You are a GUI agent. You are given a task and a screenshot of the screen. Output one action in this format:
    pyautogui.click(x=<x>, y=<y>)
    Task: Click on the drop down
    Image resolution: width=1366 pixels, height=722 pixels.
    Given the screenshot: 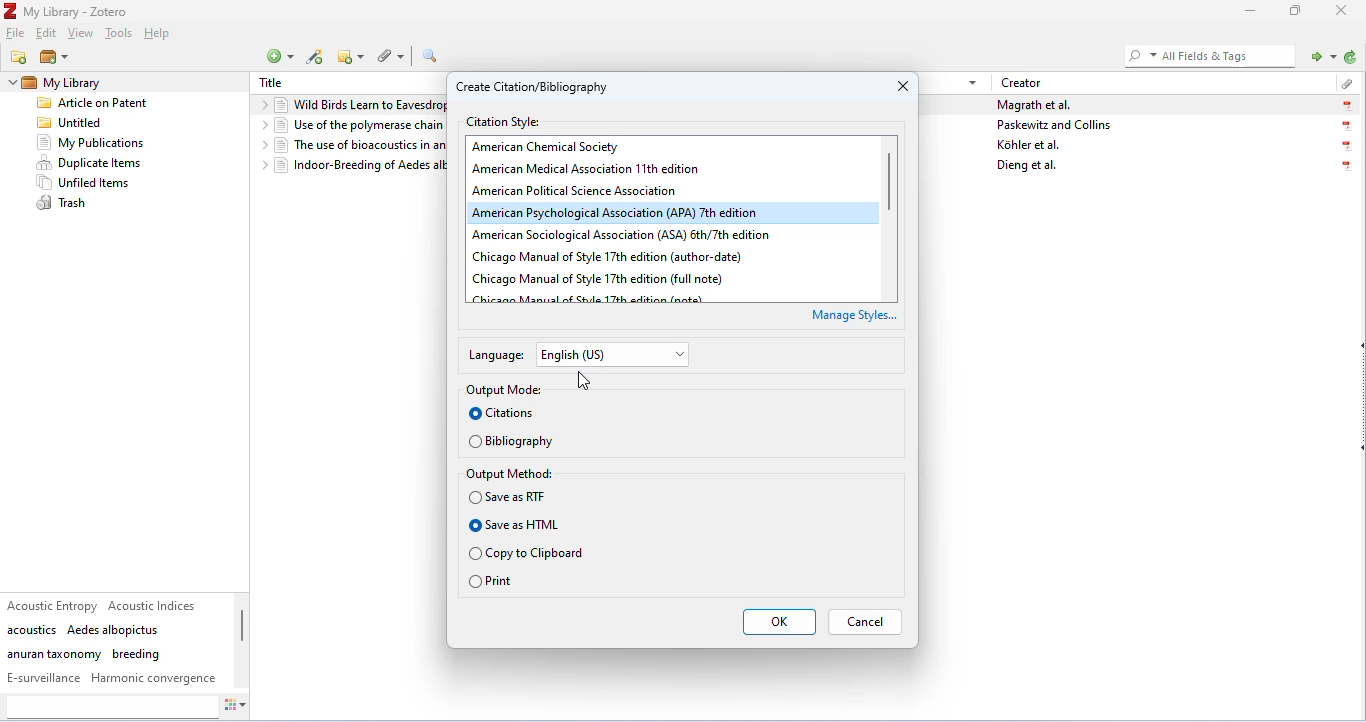 What is the action you would take?
    pyautogui.click(x=260, y=166)
    